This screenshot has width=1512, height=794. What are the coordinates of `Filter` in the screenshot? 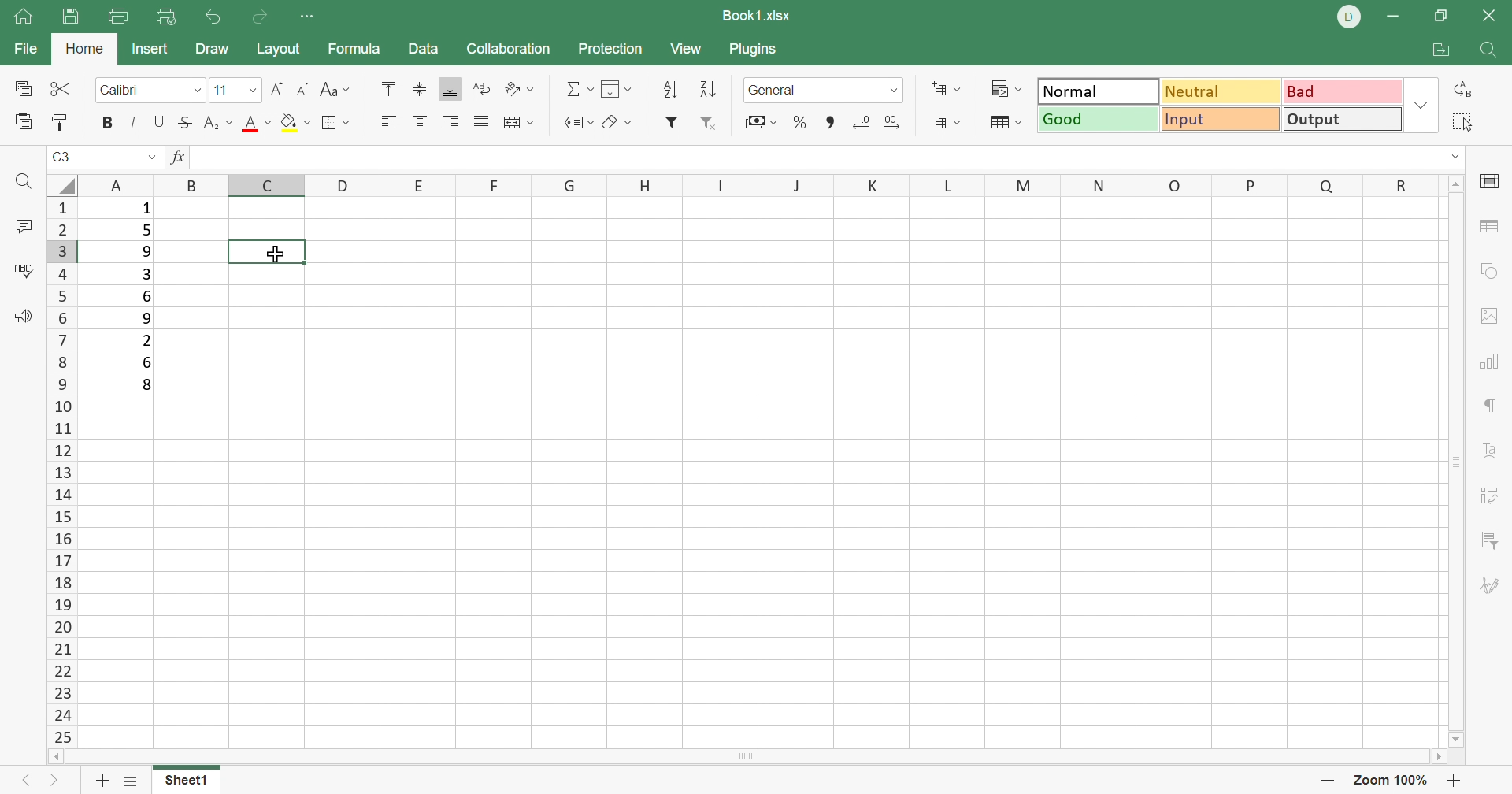 It's located at (669, 122).